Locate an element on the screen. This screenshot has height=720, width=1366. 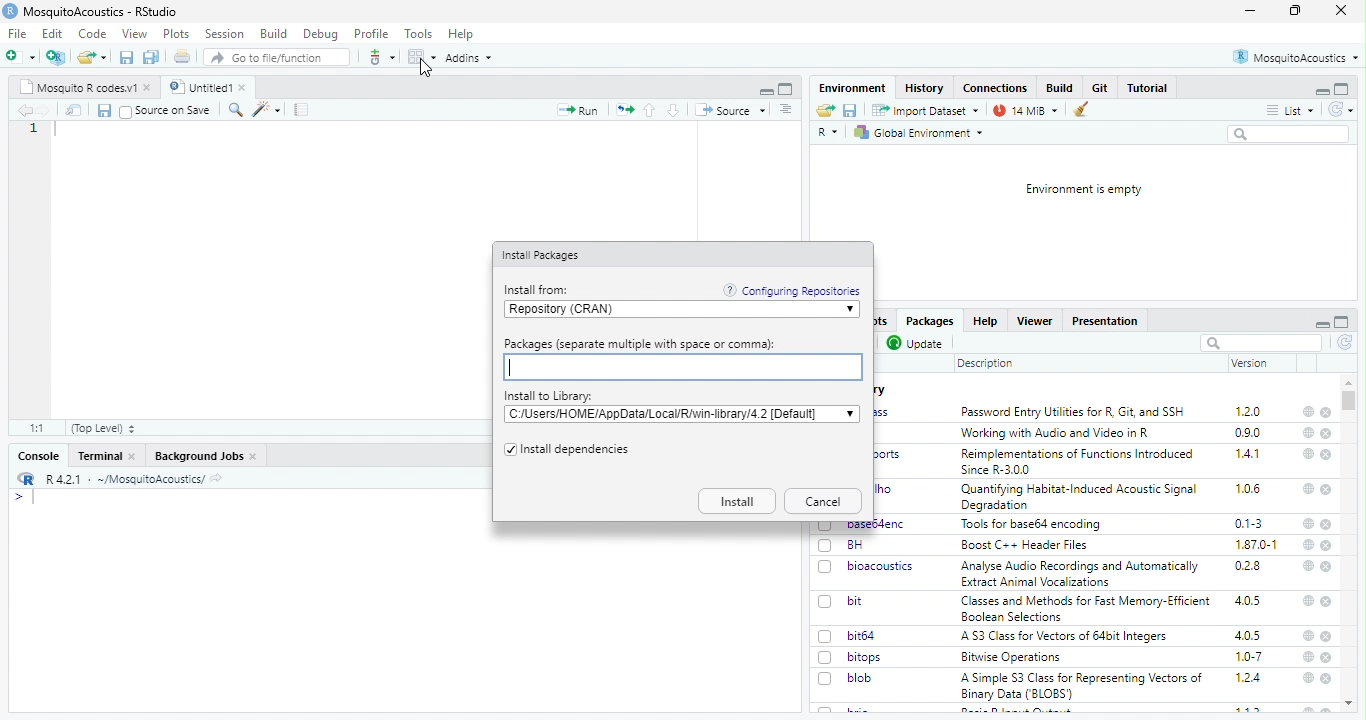
Profile is located at coordinates (373, 34).